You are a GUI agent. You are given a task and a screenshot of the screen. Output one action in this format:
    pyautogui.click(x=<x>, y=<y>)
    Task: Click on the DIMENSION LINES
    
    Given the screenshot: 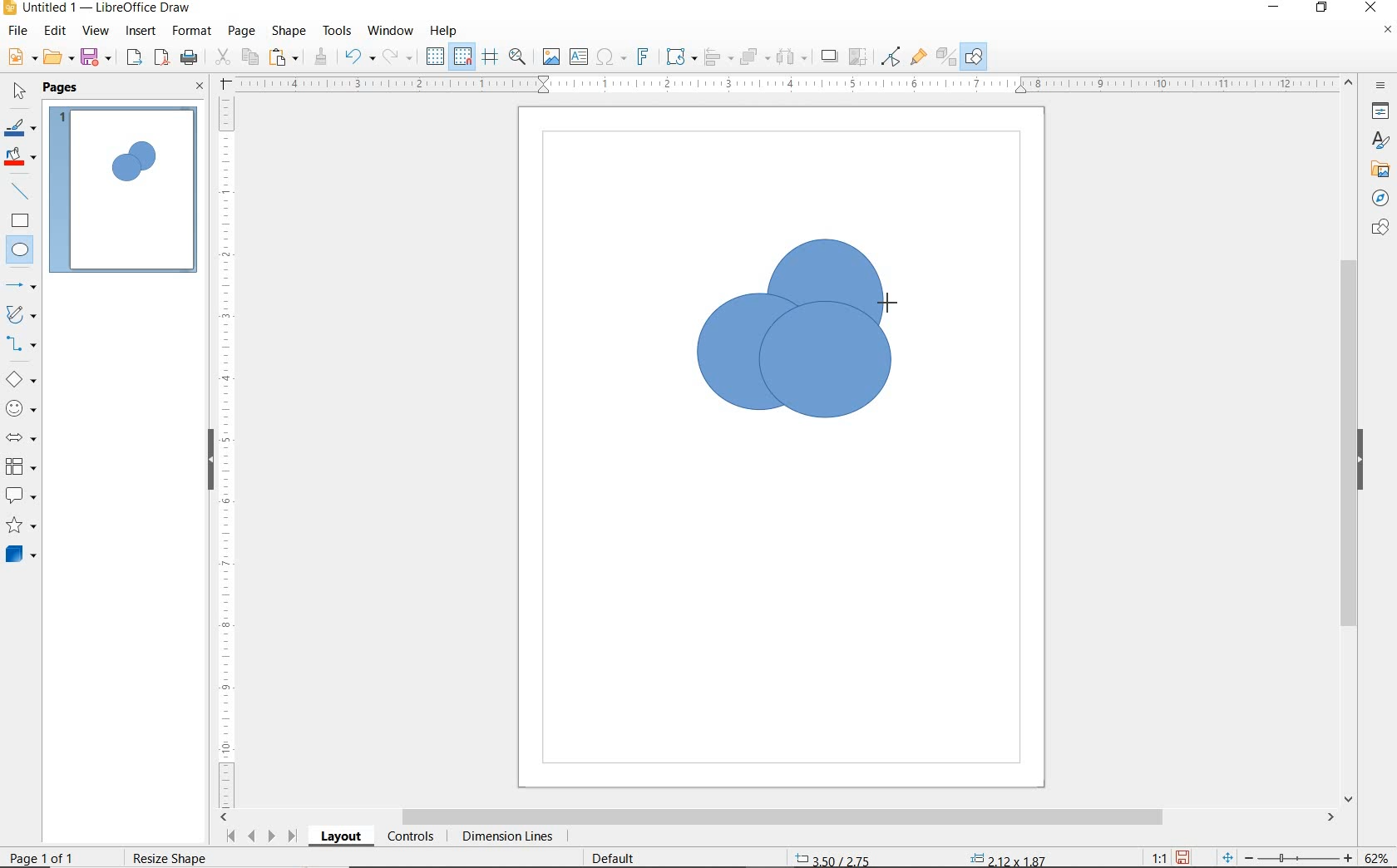 What is the action you would take?
    pyautogui.click(x=505, y=838)
    